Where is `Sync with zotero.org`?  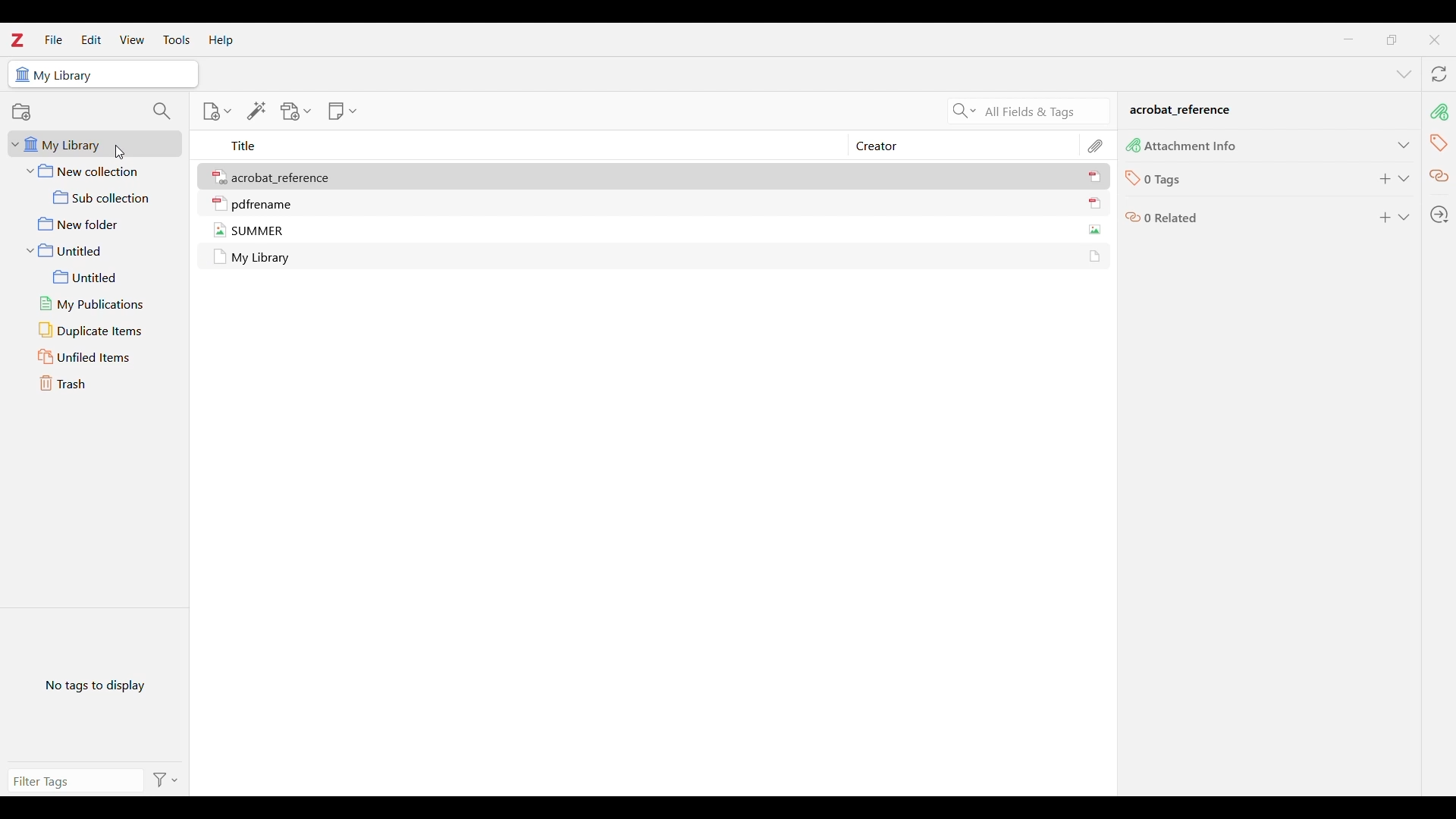
Sync with zotero.org is located at coordinates (1439, 77).